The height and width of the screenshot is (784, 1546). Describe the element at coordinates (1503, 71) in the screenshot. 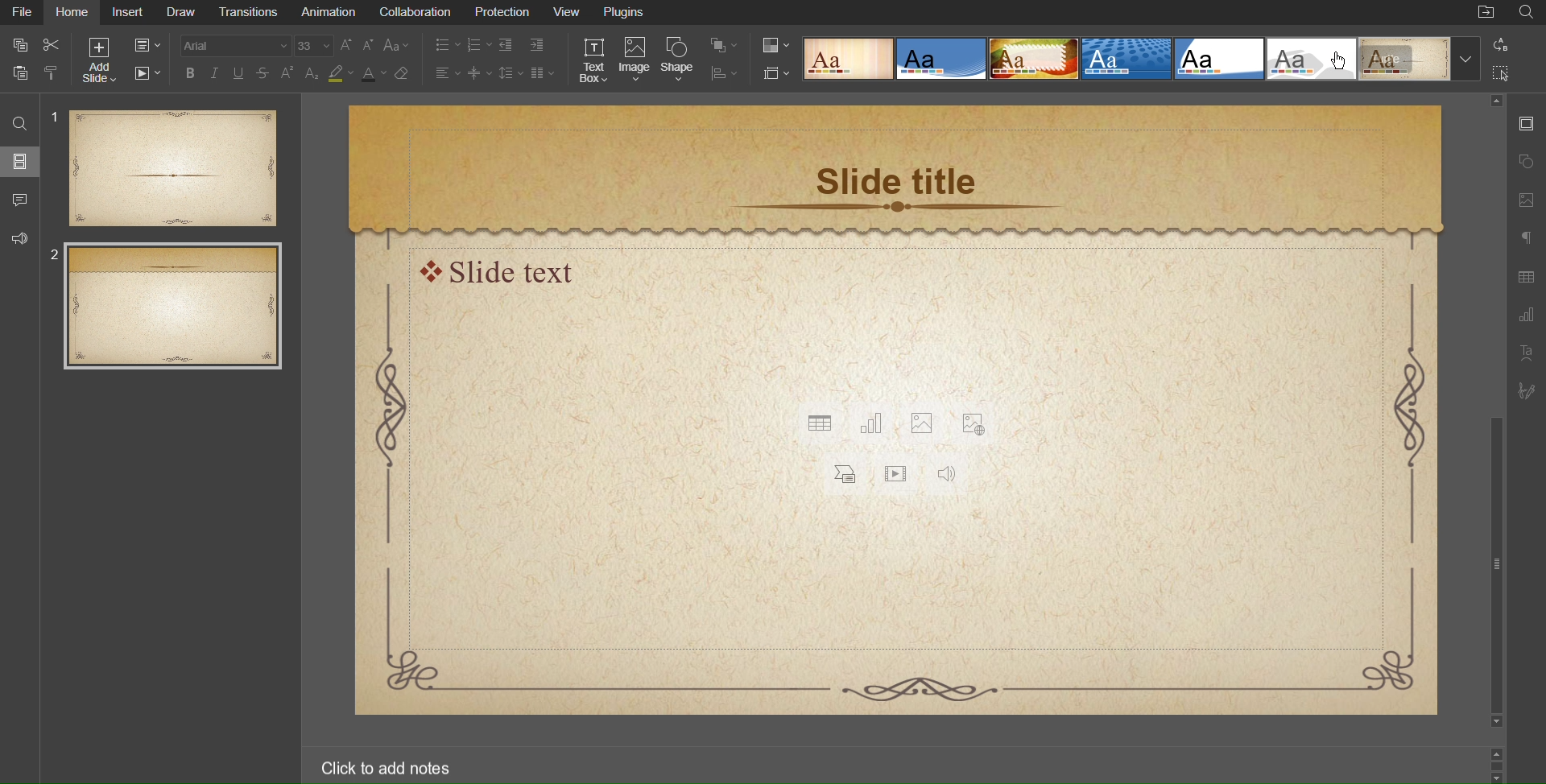

I see `Select` at that location.